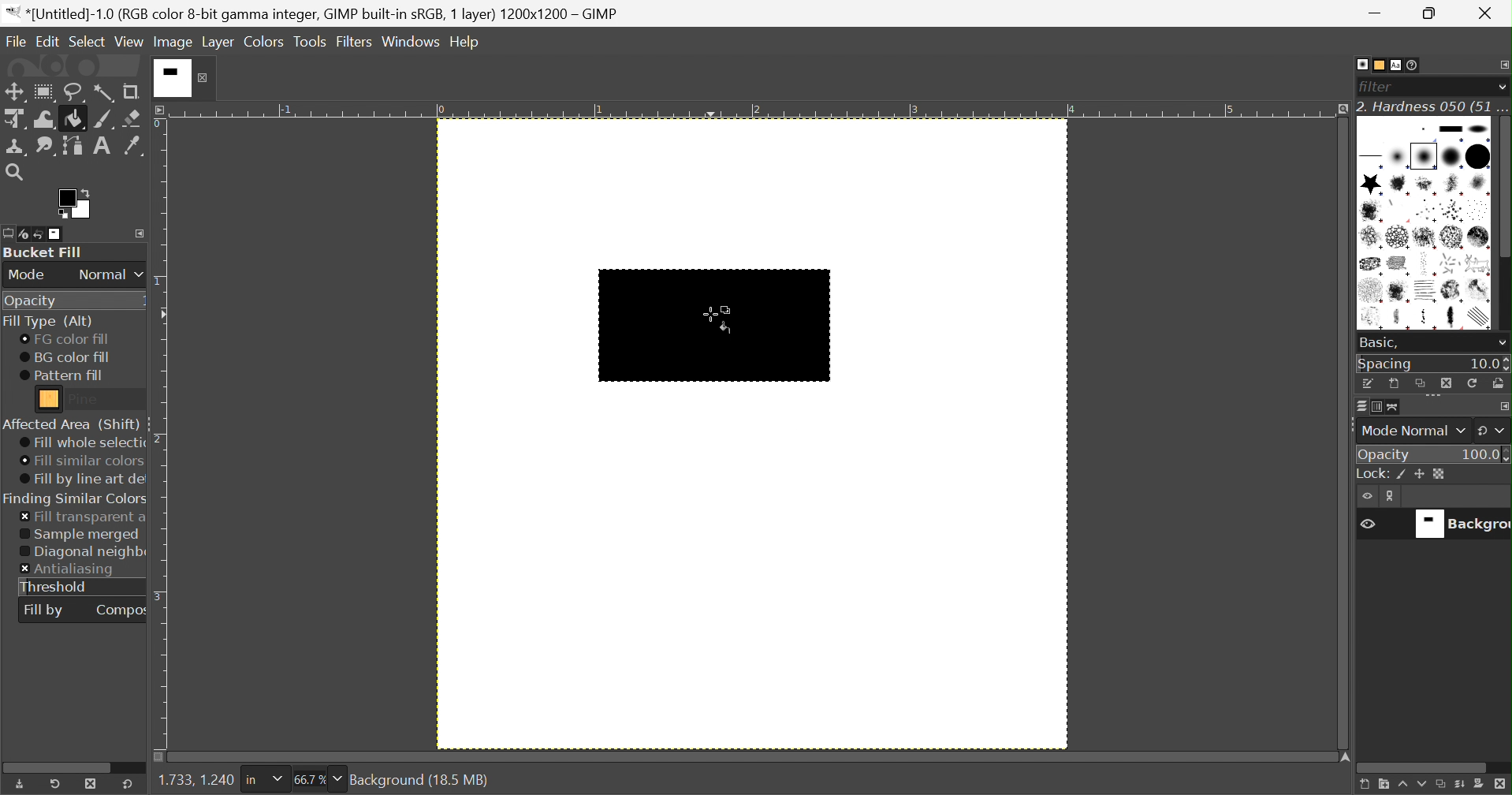  What do you see at coordinates (1503, 65) in the screenshot?
I see `Configure this tab` at bounding box center [1503, 65].